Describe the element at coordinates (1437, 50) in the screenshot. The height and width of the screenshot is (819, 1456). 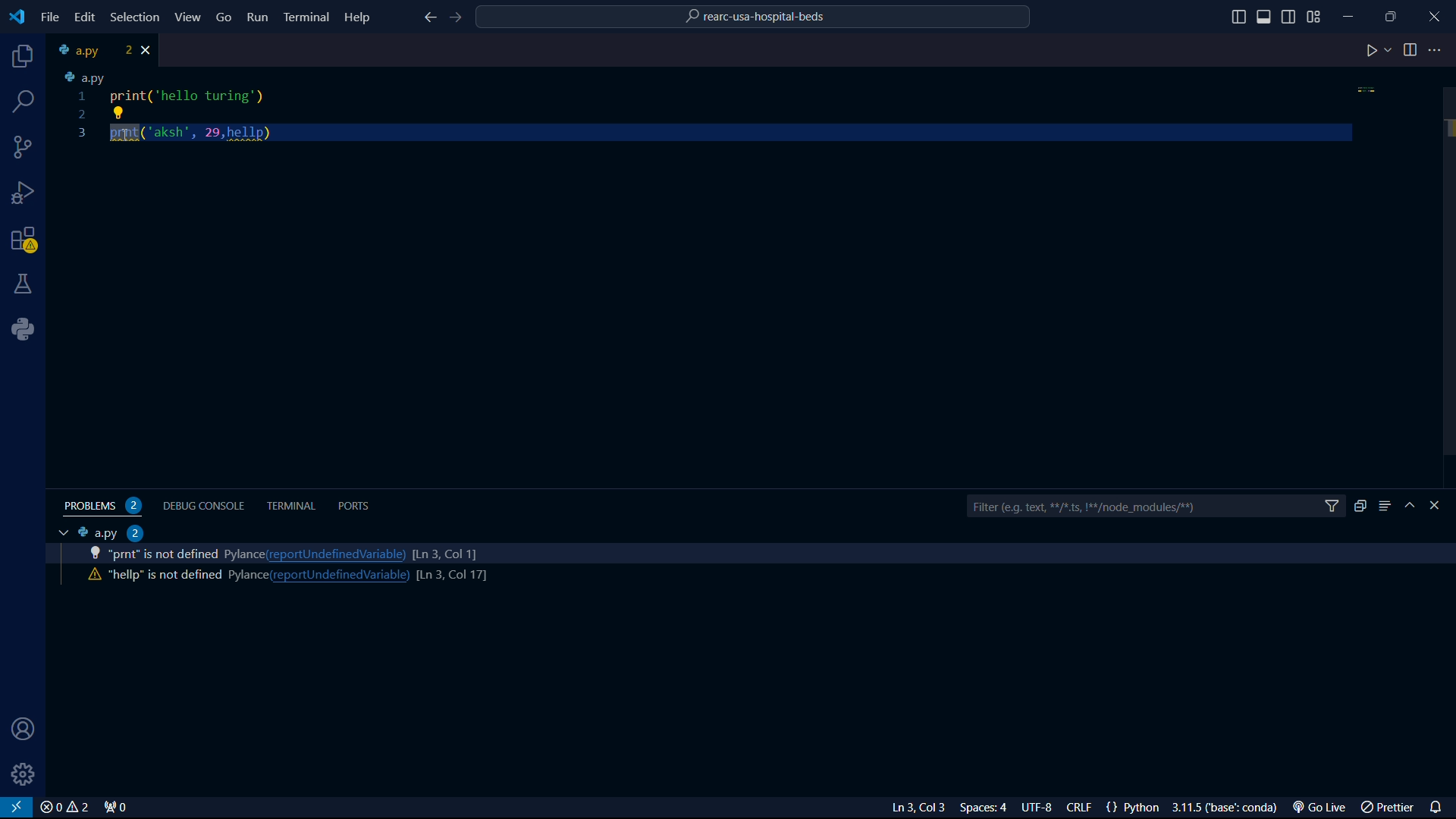
I see `more options` at that location.